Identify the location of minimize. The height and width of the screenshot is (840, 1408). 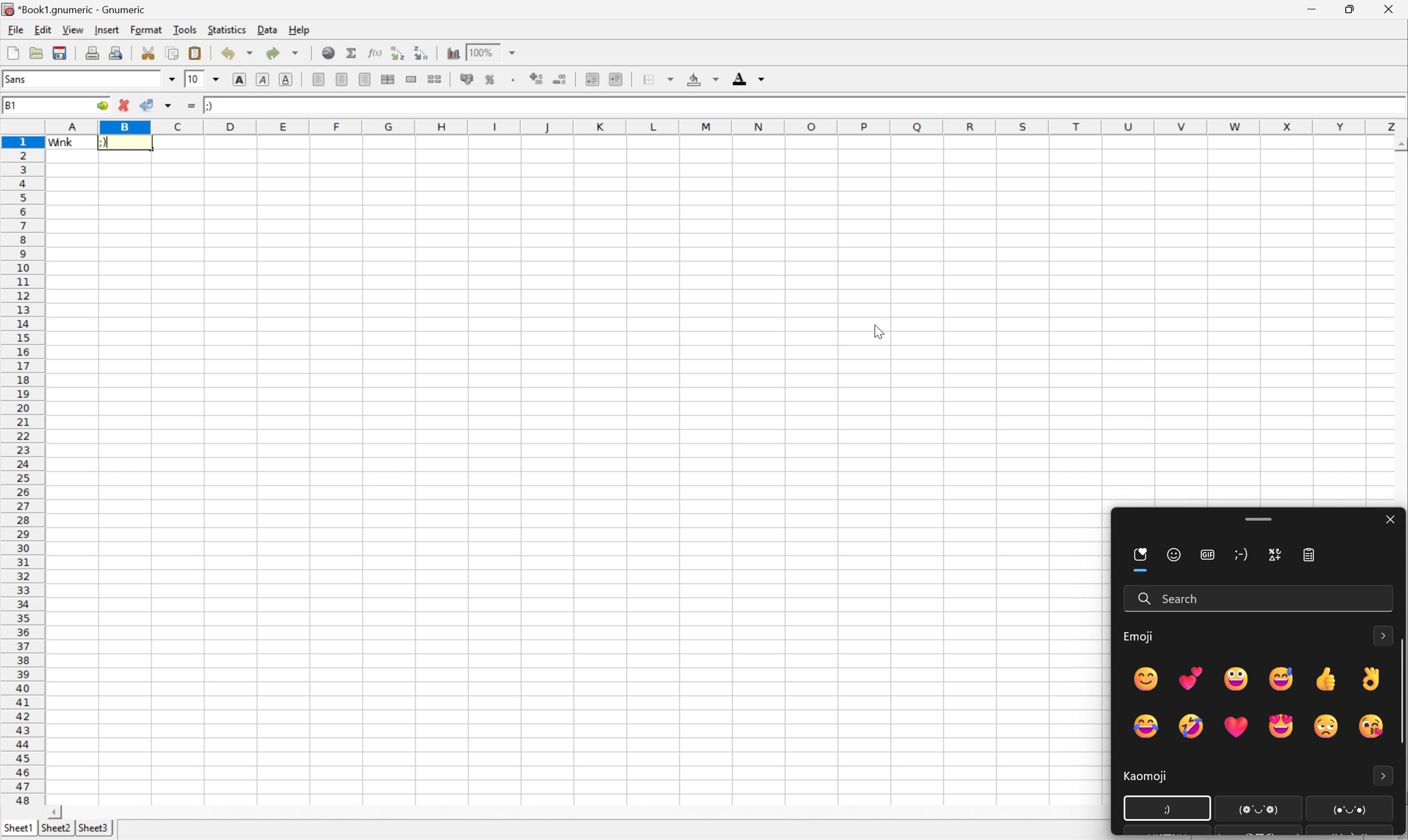
(1313, 10).